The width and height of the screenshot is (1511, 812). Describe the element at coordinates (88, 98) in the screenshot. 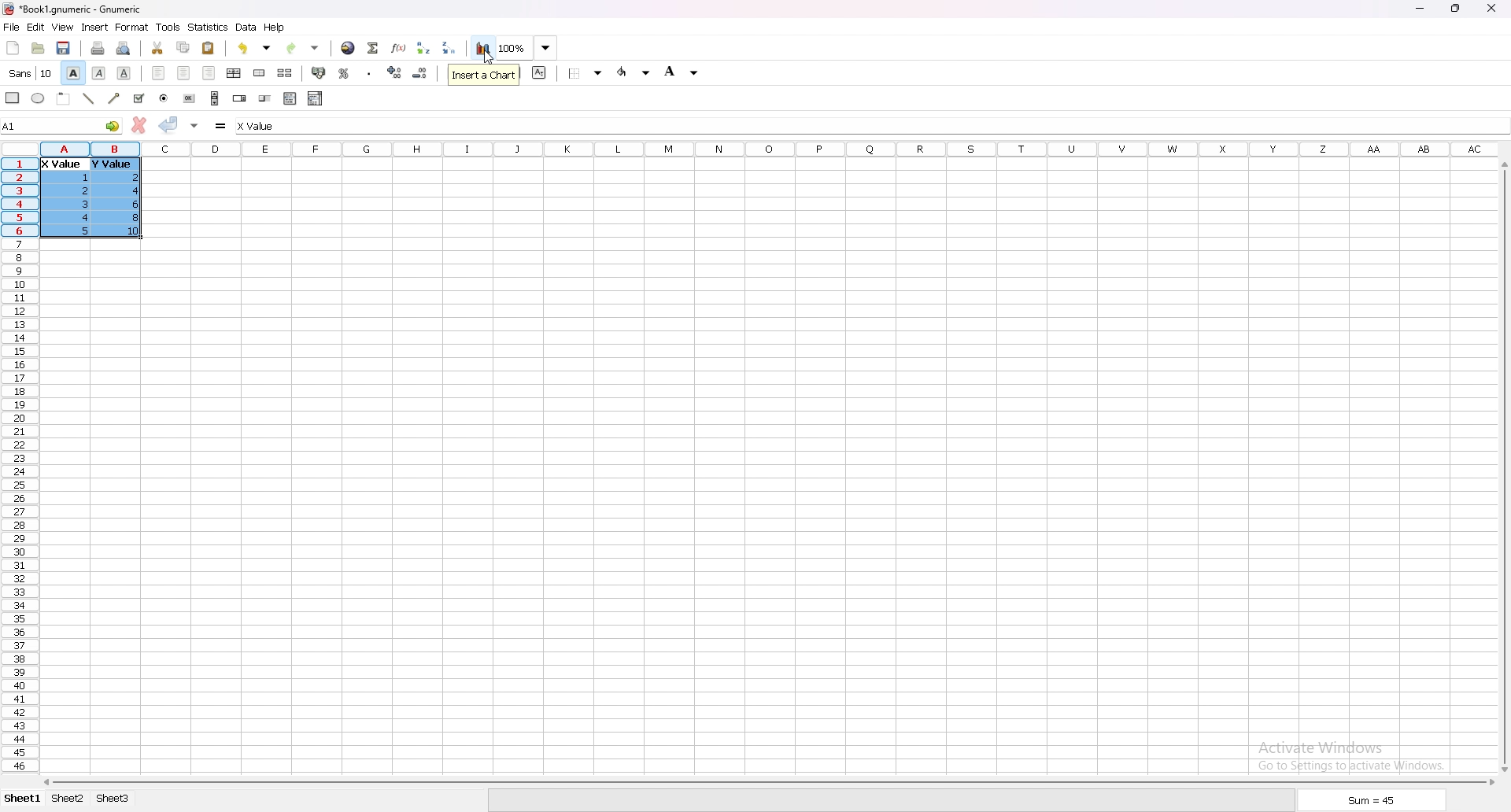

I see `line` at that location.